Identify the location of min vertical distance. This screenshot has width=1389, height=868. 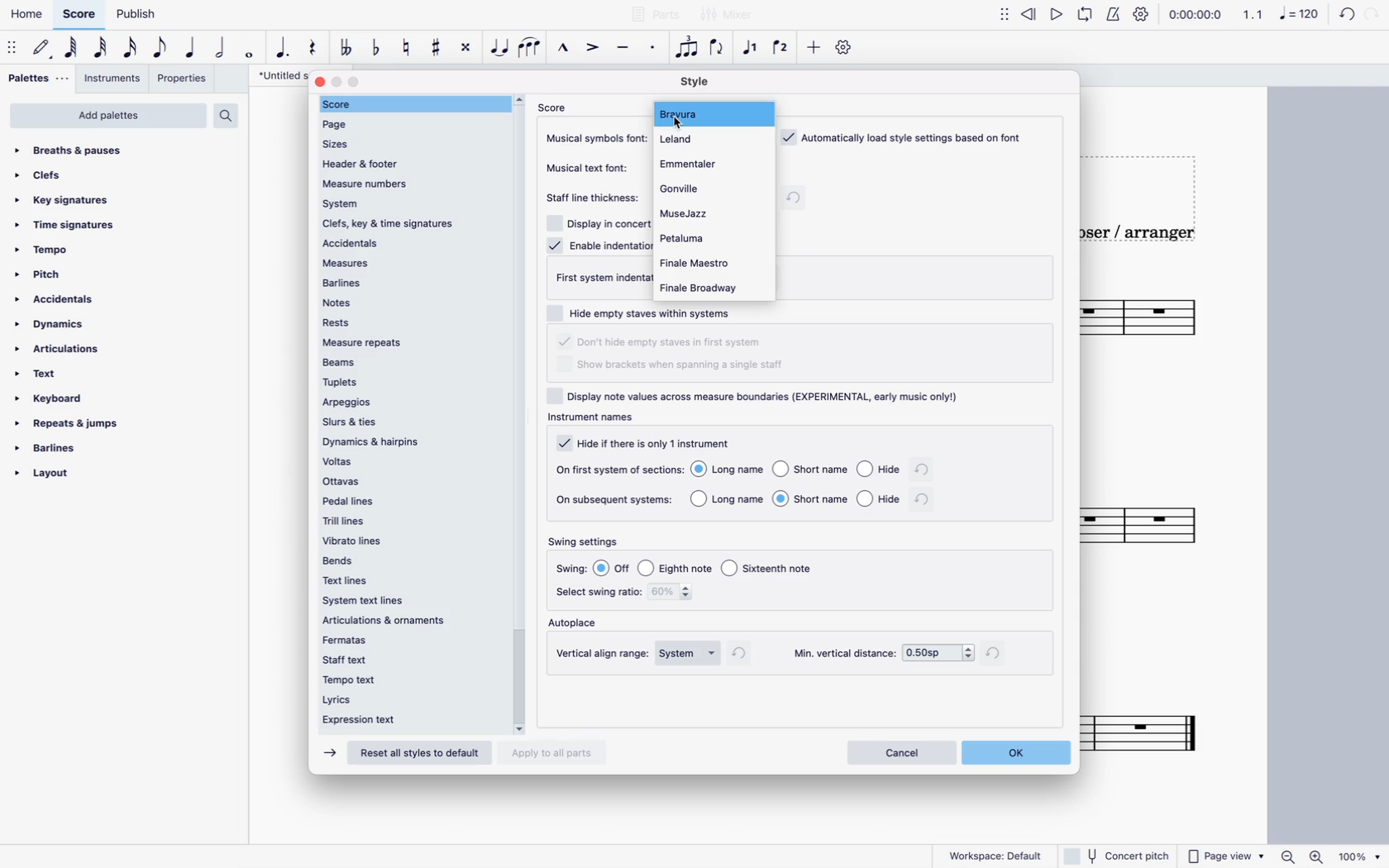
(938, 654).